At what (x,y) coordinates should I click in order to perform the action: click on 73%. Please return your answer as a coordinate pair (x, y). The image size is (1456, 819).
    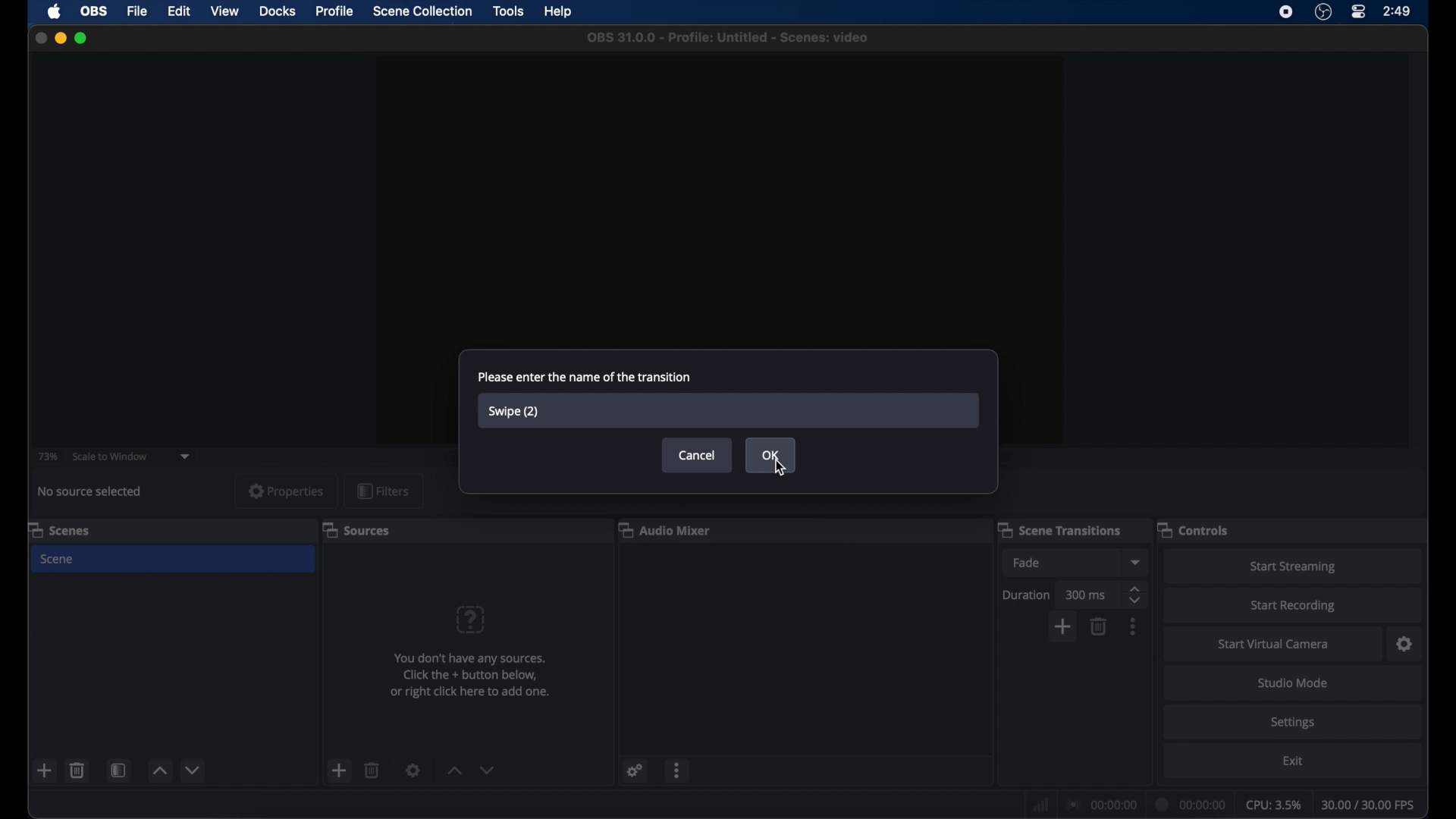
    Looking at the image, I should click on (47, 457).